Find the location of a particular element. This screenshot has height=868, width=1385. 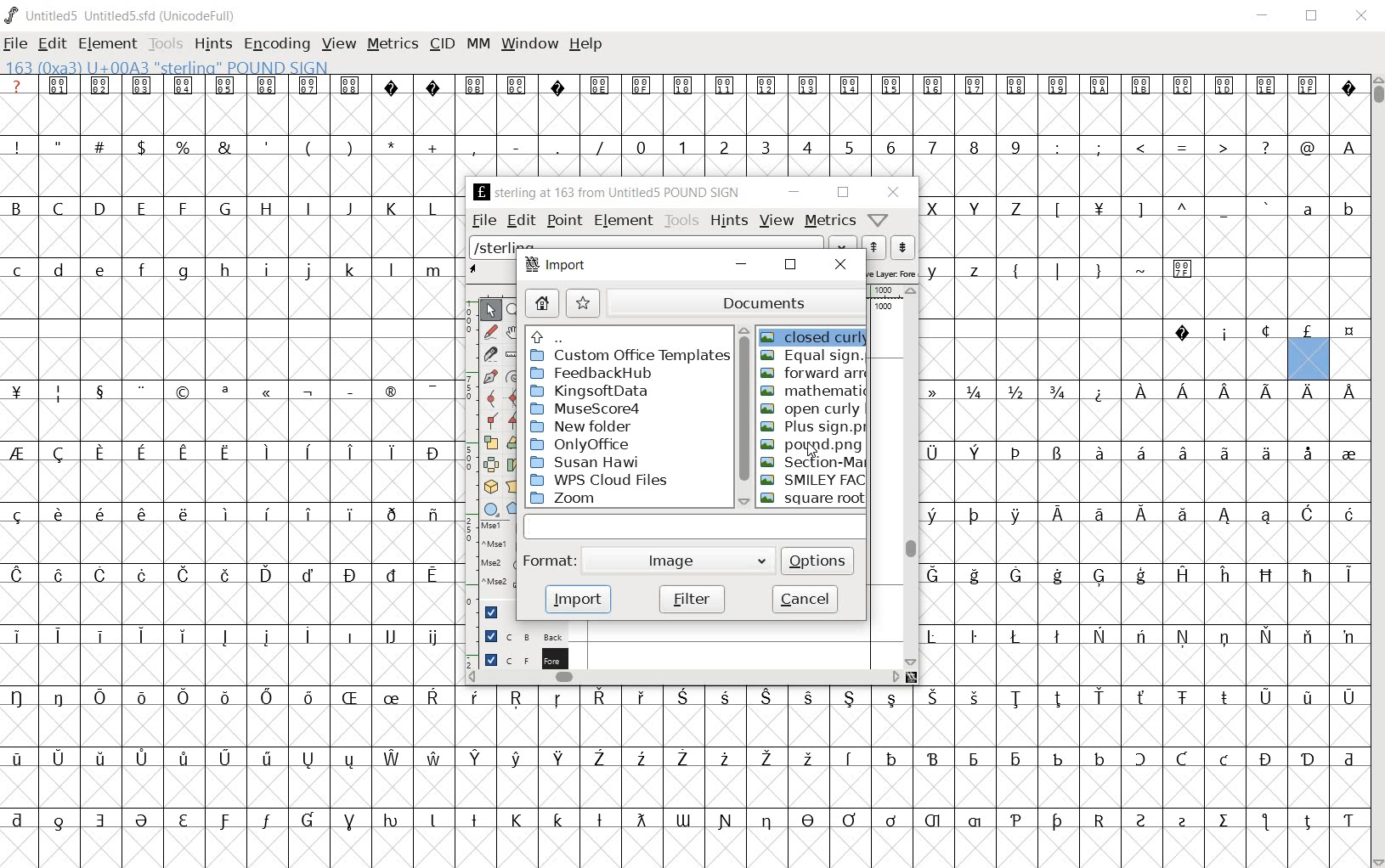

maximize is located at coordinates (790, 264).